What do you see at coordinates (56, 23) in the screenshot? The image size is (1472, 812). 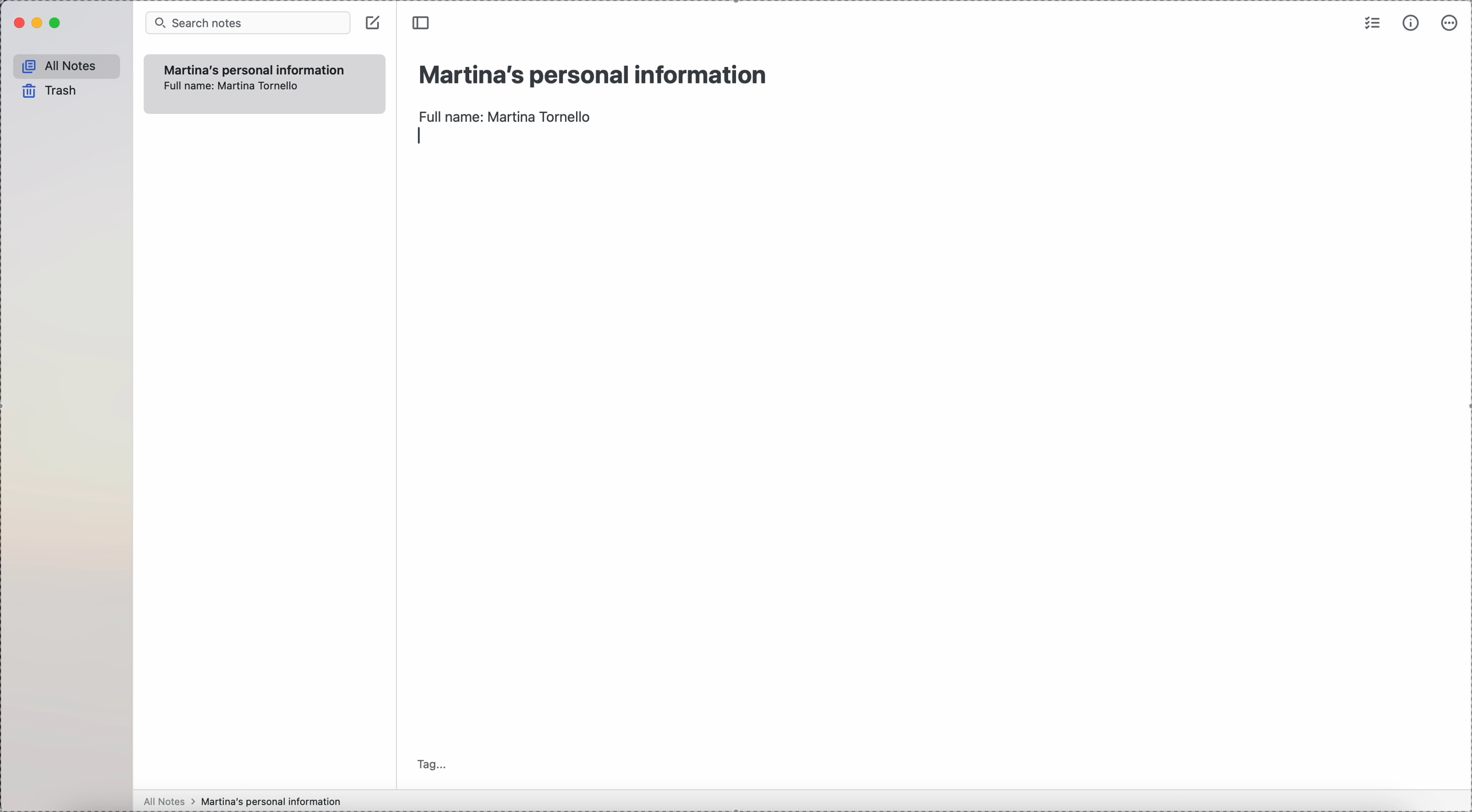 I see `maximize Simplenote` at bounding box center [56, 23].